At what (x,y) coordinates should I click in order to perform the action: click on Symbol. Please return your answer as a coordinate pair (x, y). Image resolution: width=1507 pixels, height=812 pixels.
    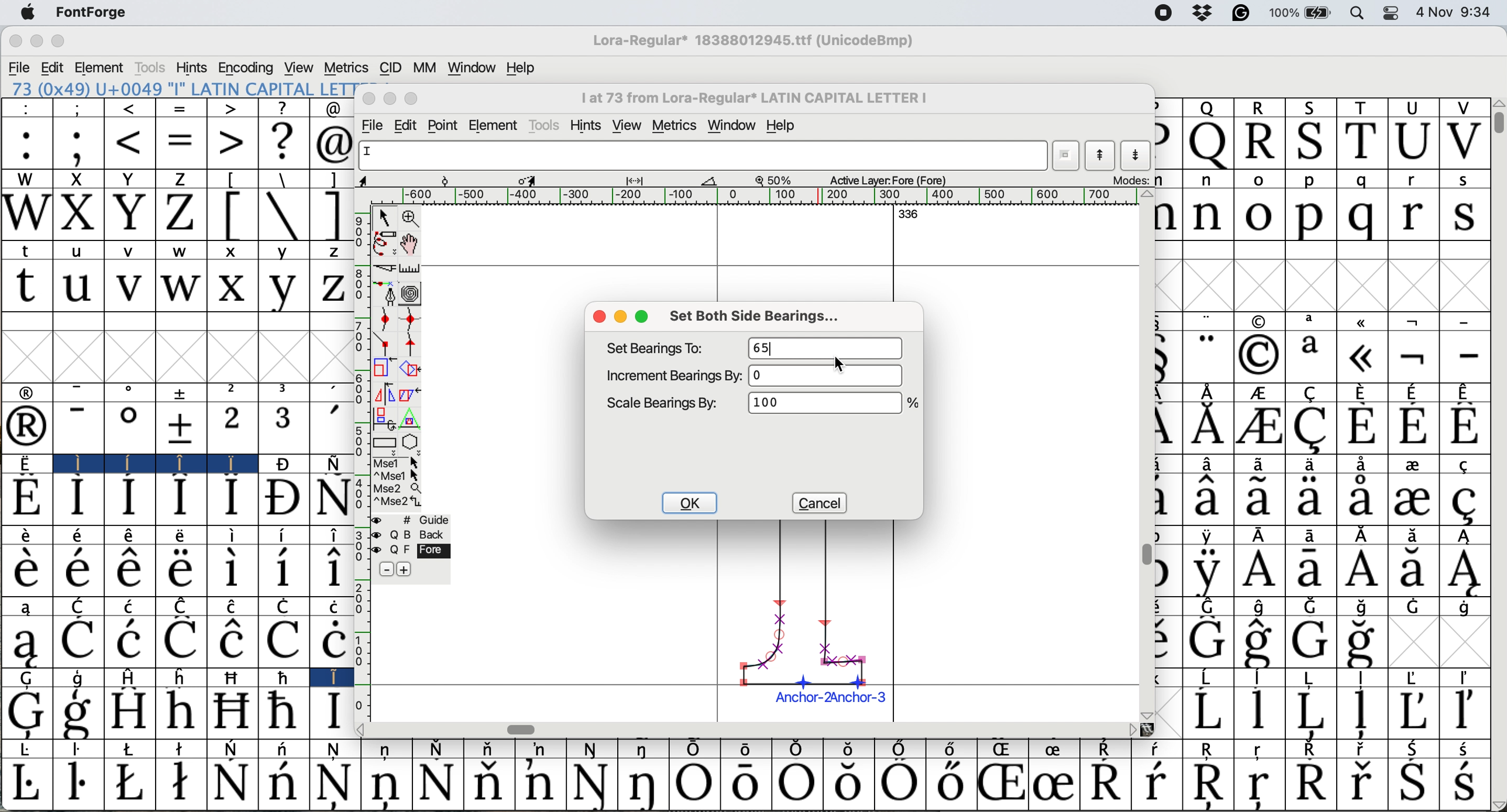
    Looking at the image, I should click on (1108, 782).